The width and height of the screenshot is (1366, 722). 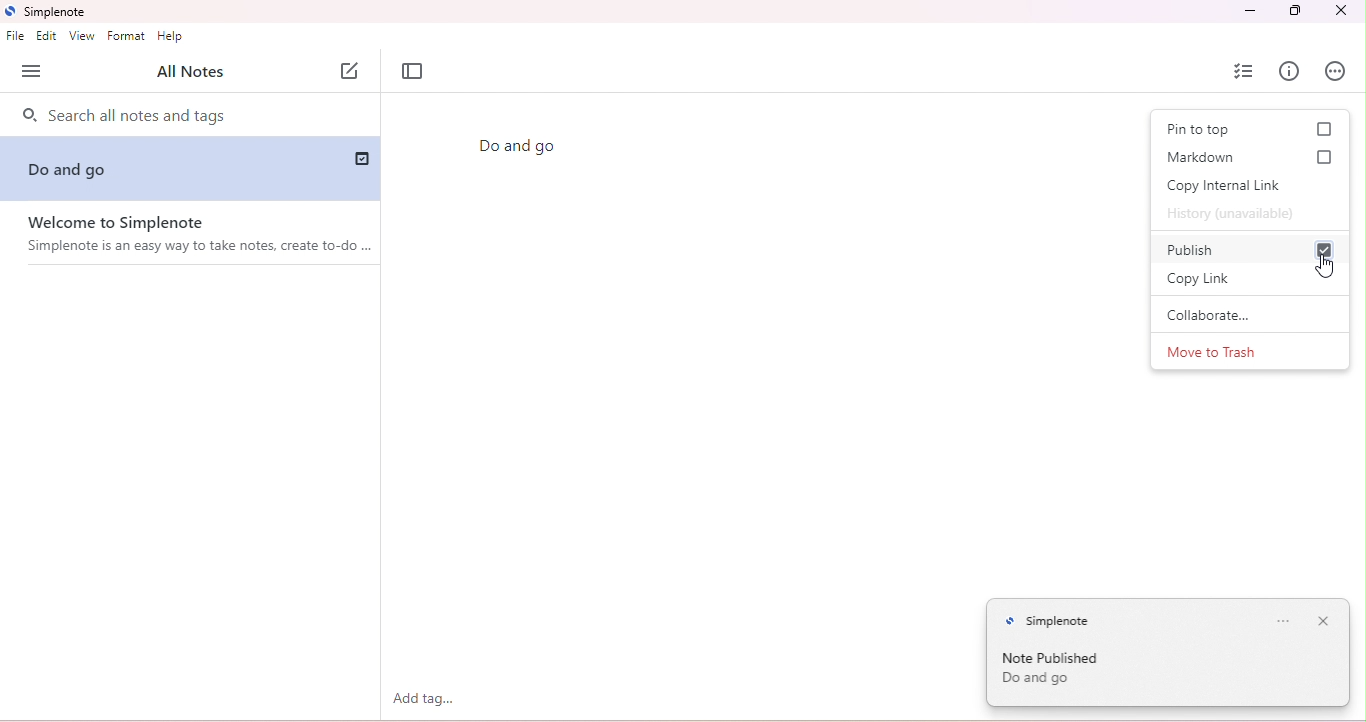 I want to click on maximize, so click(x=1295, y=11).